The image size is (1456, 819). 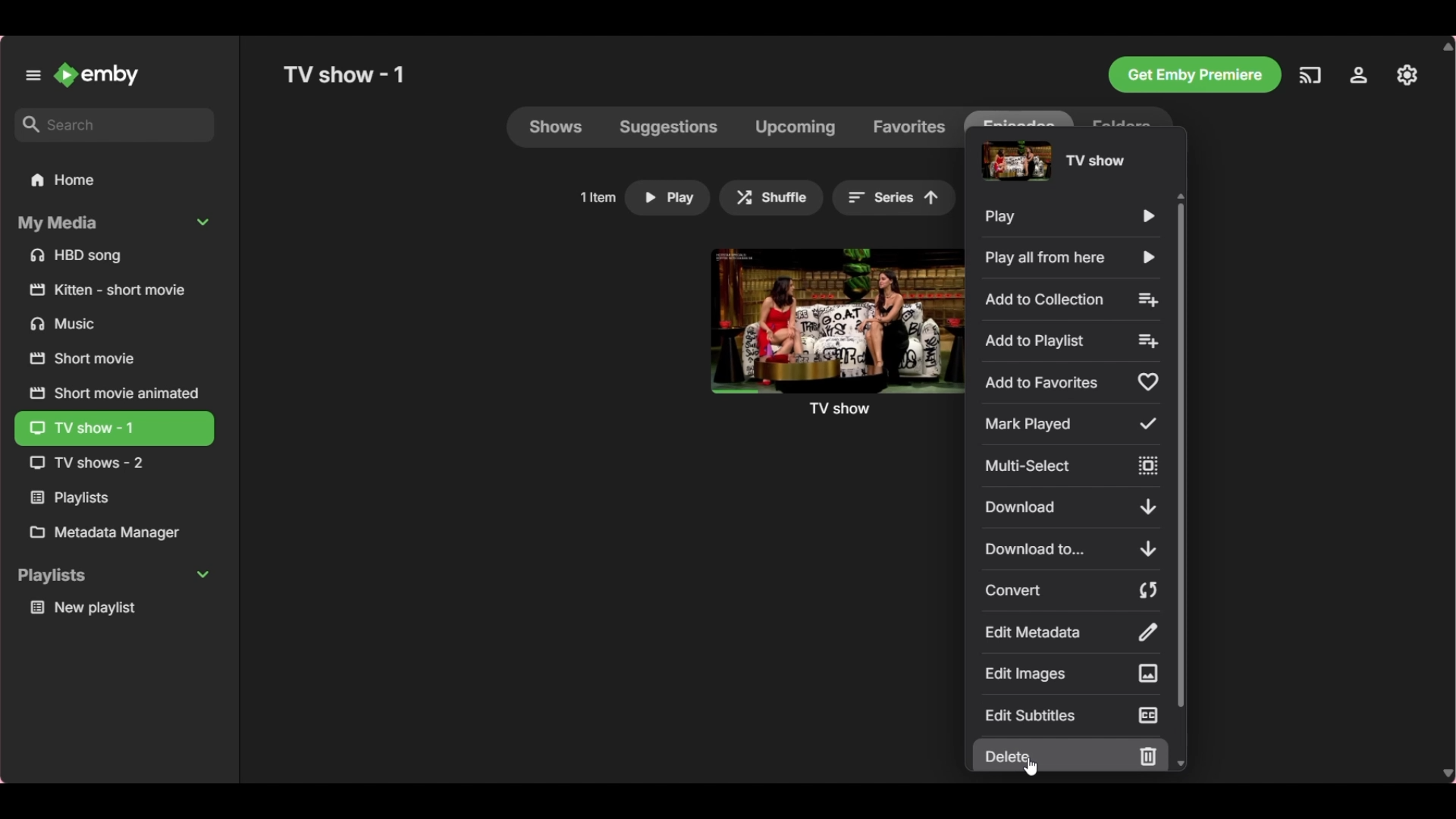 What do you see at coordinates (1123, 116) in the screenshot?
I see `Folders` at bounding box center [1123, 116].